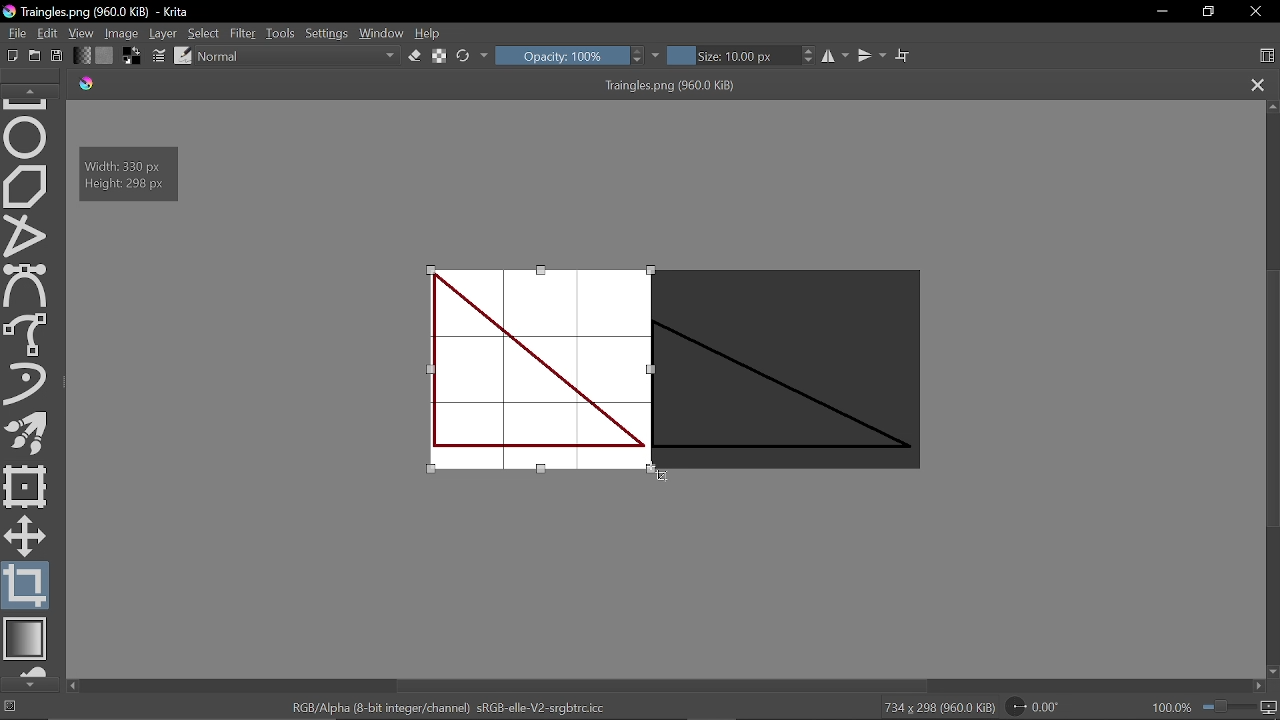 The width and height of the screenshot is (1280, 720). What do you see at coordinates (1272, 106) in the screenshot?
I see `Move up` at bounding box center [1272, 106].